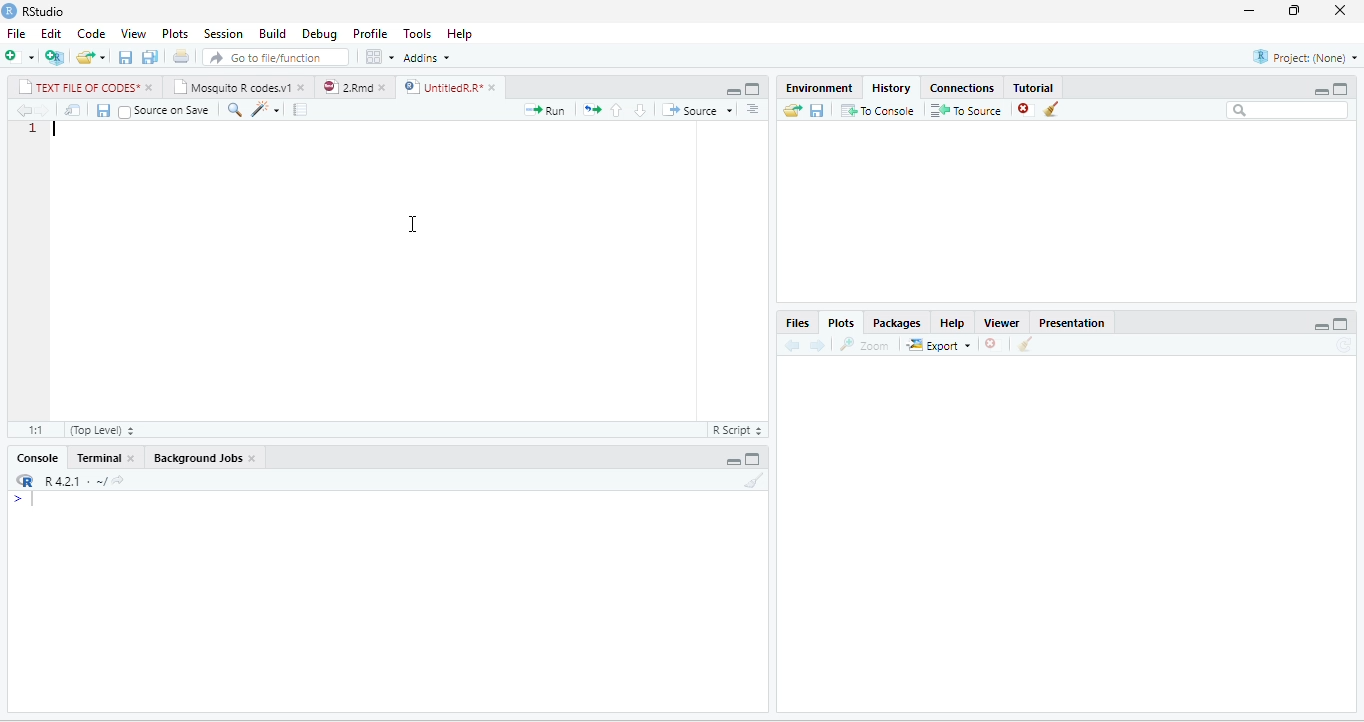 Image resolution: width=1364 pixels, height=722 pixels. I want to click on Addins, so click(428, 57).